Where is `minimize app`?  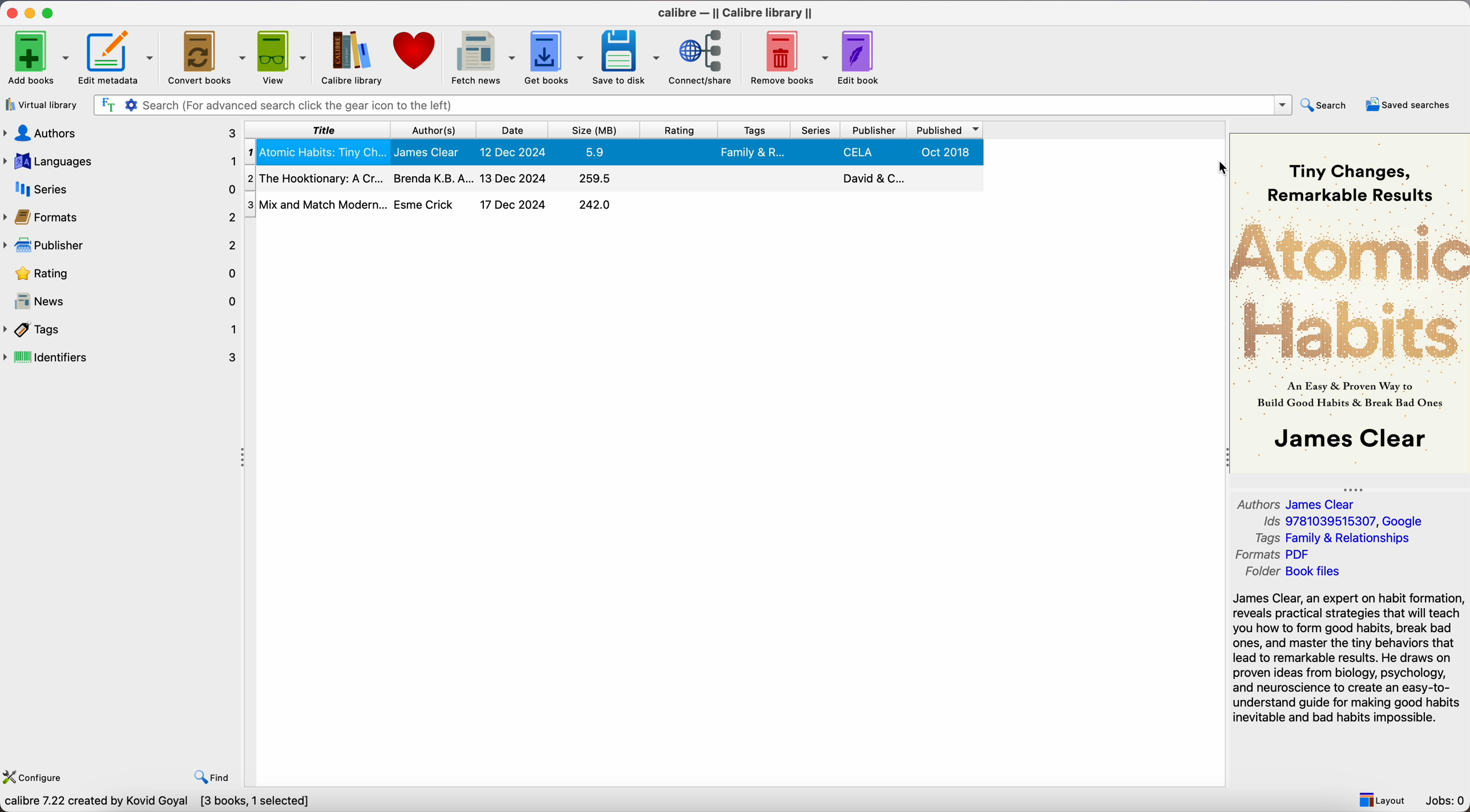 minimize app is located at coordinates (32, 13).